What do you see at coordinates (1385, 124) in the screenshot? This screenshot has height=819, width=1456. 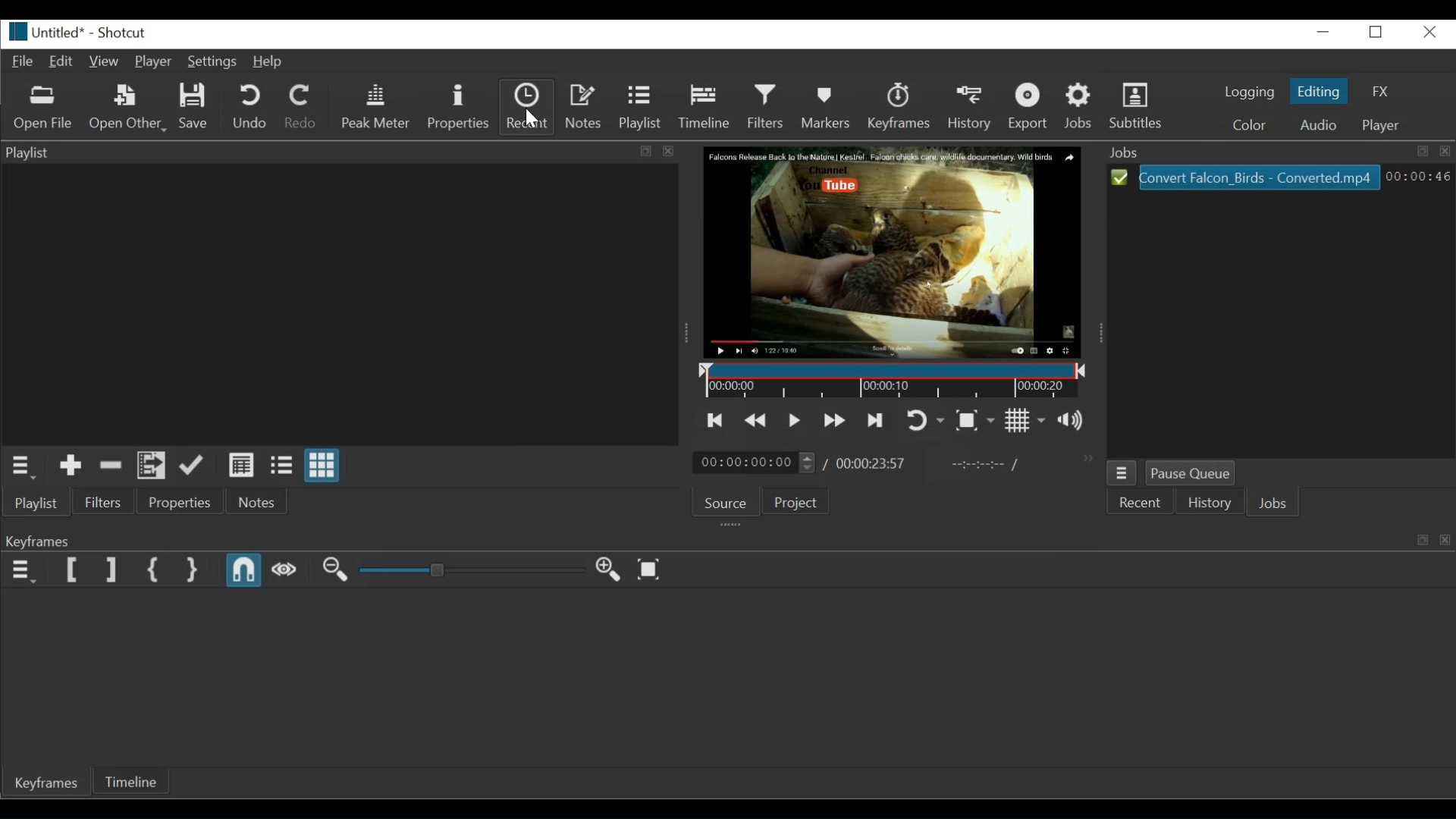 I see `Player` at bounding box center [1385, 124].